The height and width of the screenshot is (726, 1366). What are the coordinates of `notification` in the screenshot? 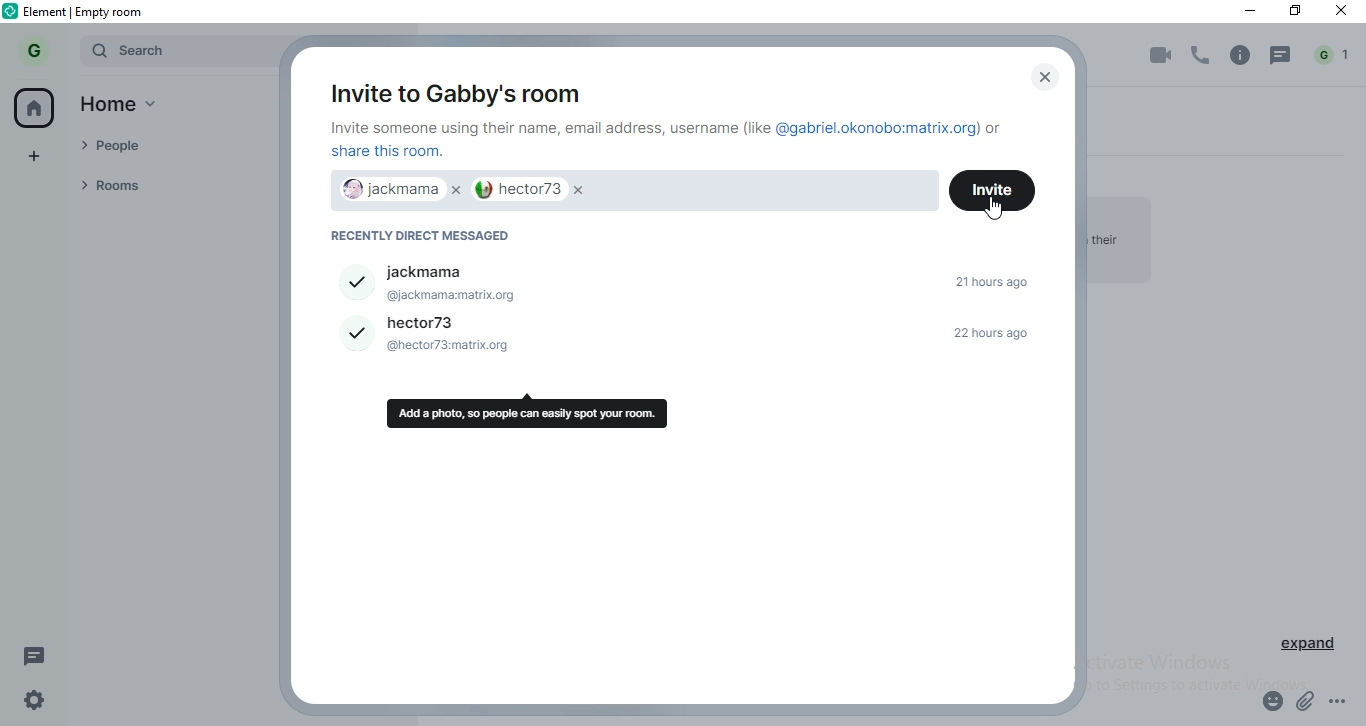 It's located at (1334, 55).